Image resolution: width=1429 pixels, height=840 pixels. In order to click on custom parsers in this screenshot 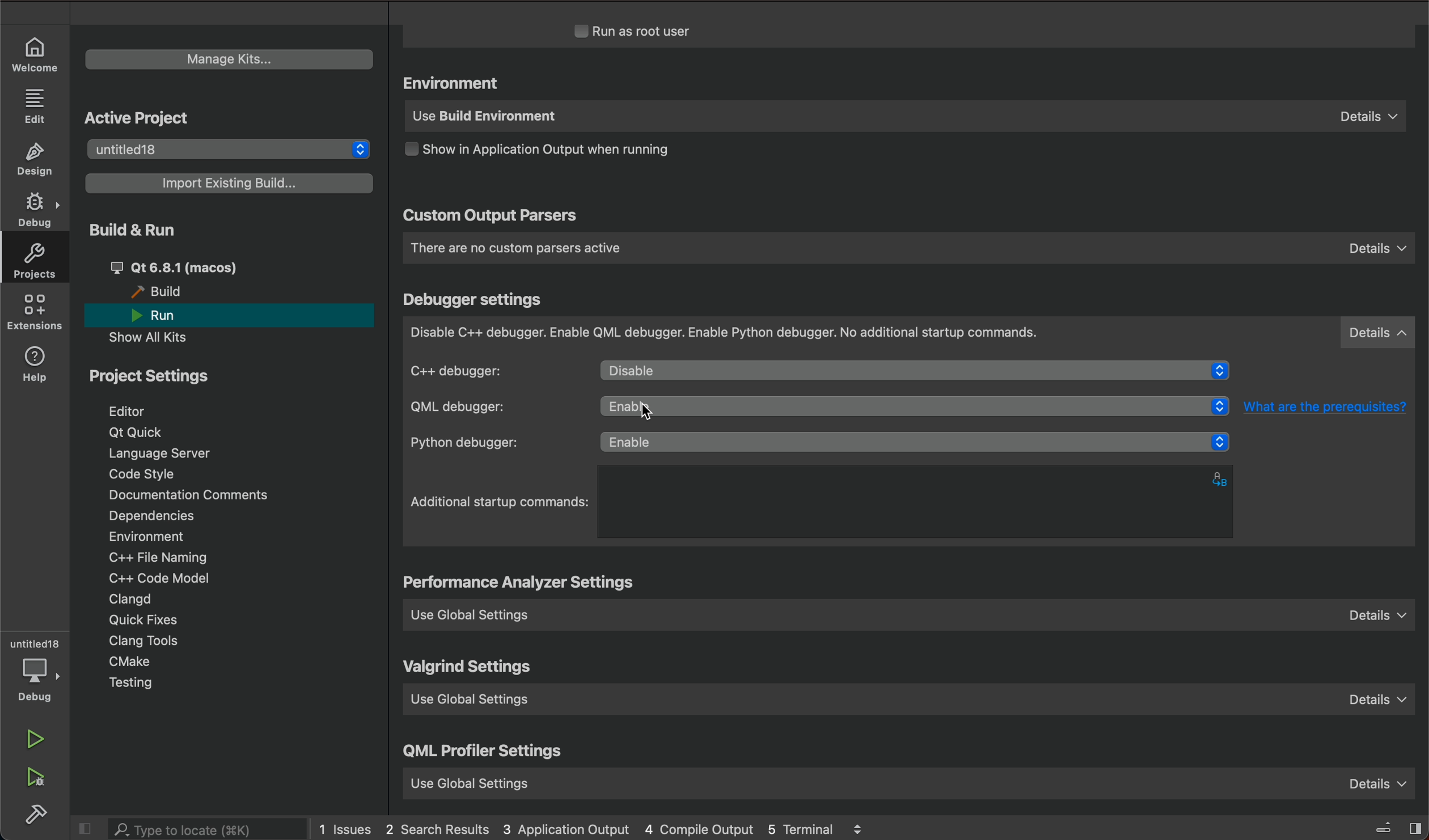, I will do `click(908, 248)`.